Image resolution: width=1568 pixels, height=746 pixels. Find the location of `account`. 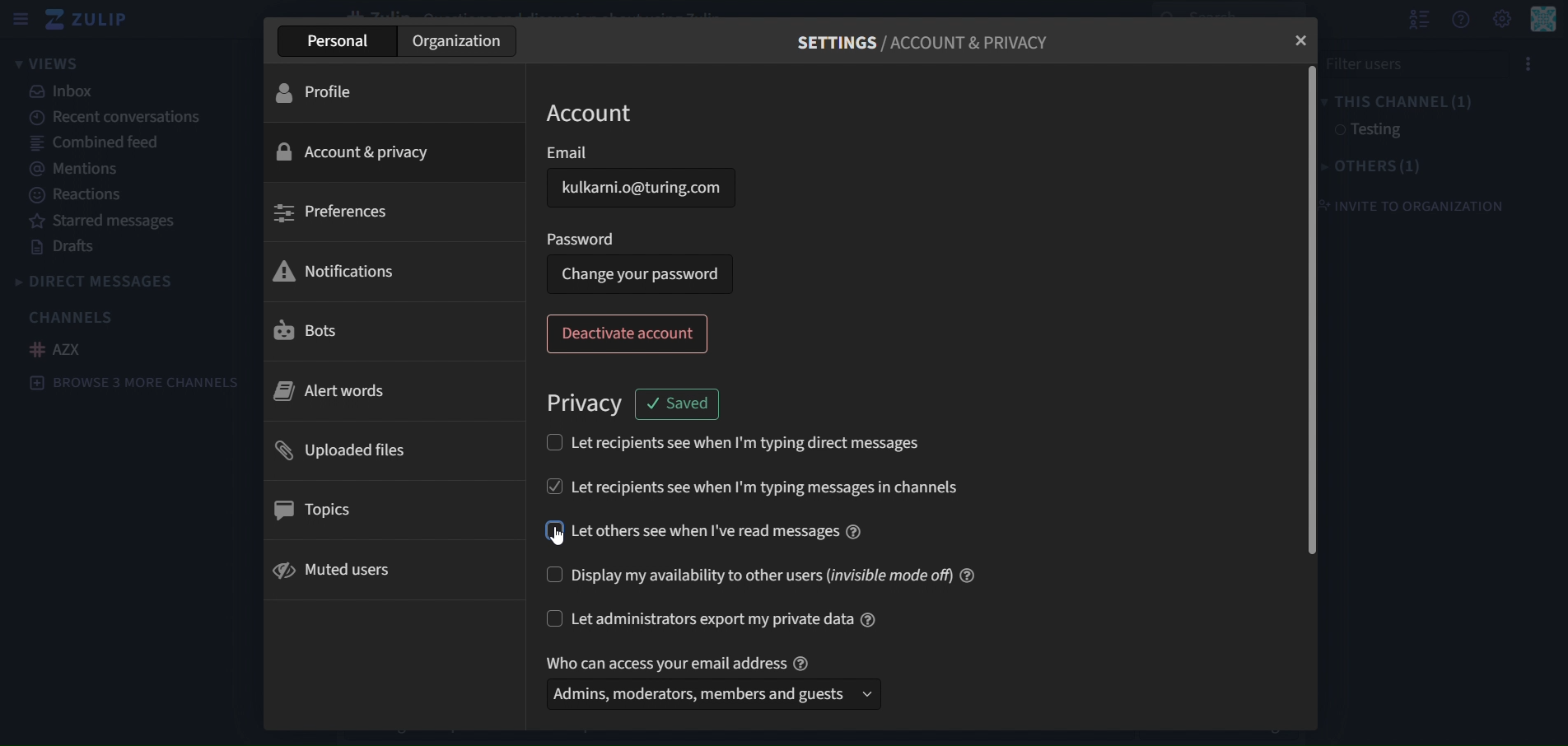

account is located at coordinates (594, 114).